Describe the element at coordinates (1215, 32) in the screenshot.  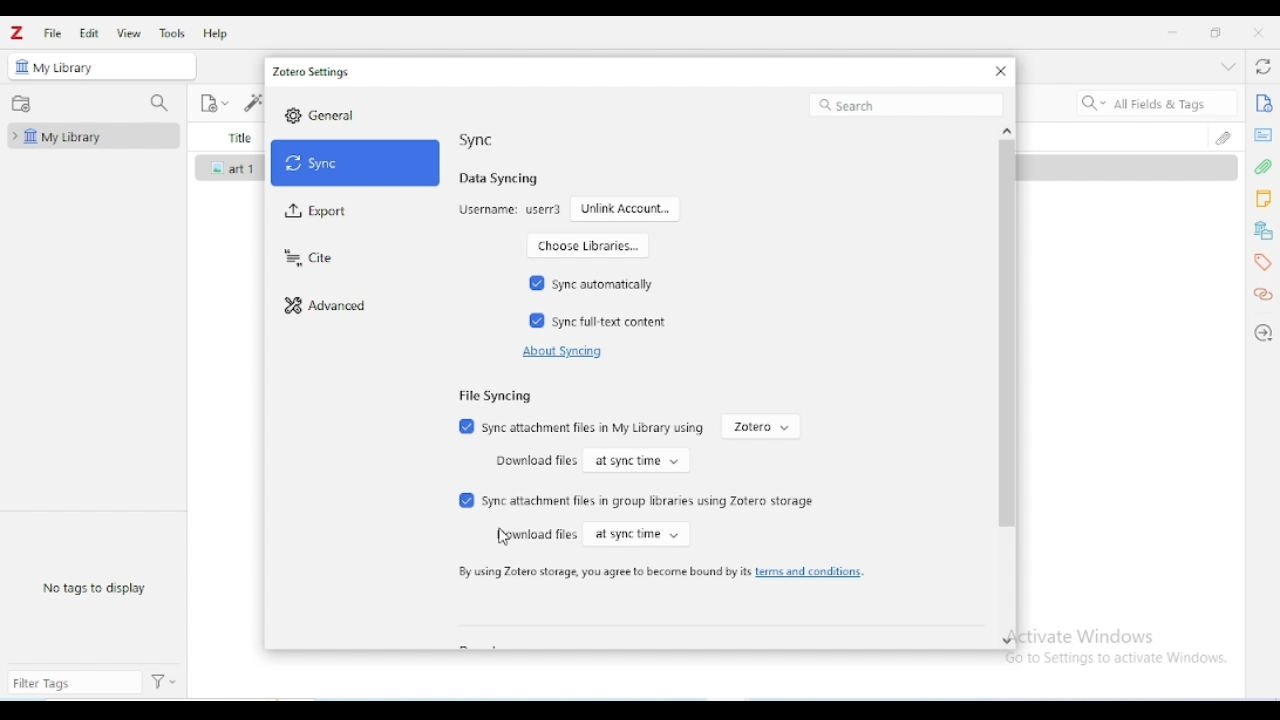
I see `maximize` at that location.